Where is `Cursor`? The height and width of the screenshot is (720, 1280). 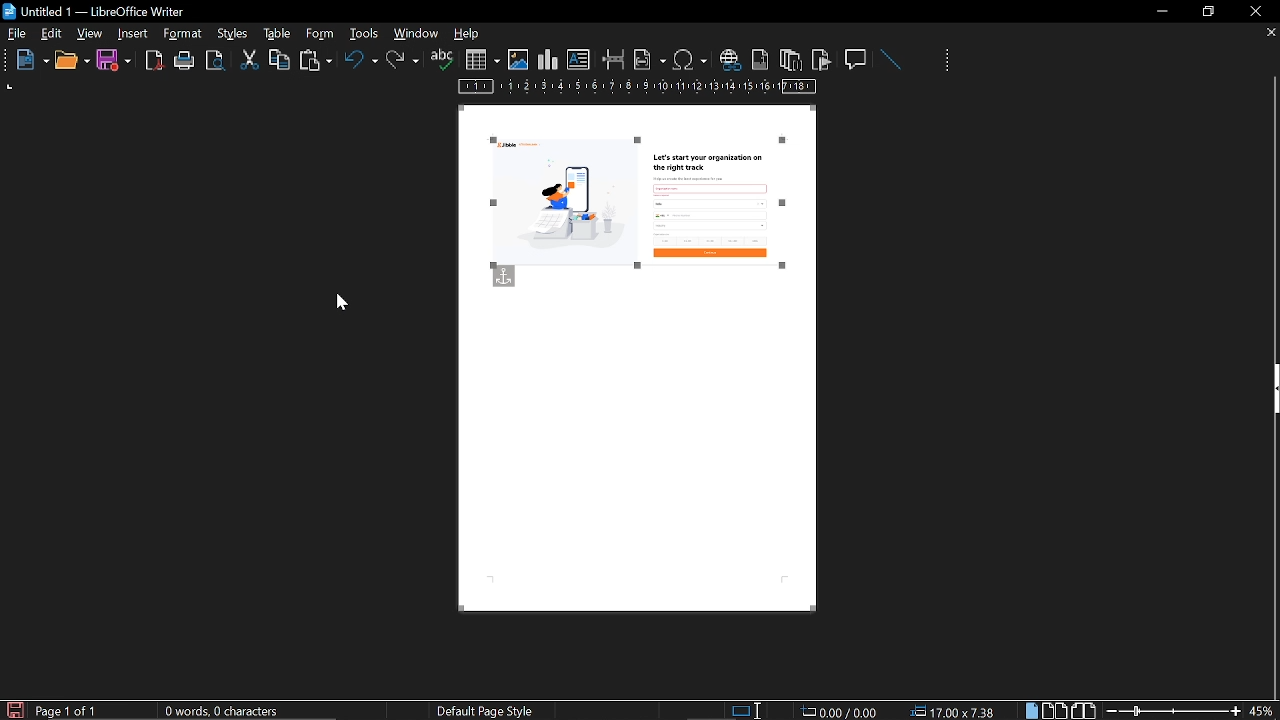
Cursor is located at coordinates (342, 303).